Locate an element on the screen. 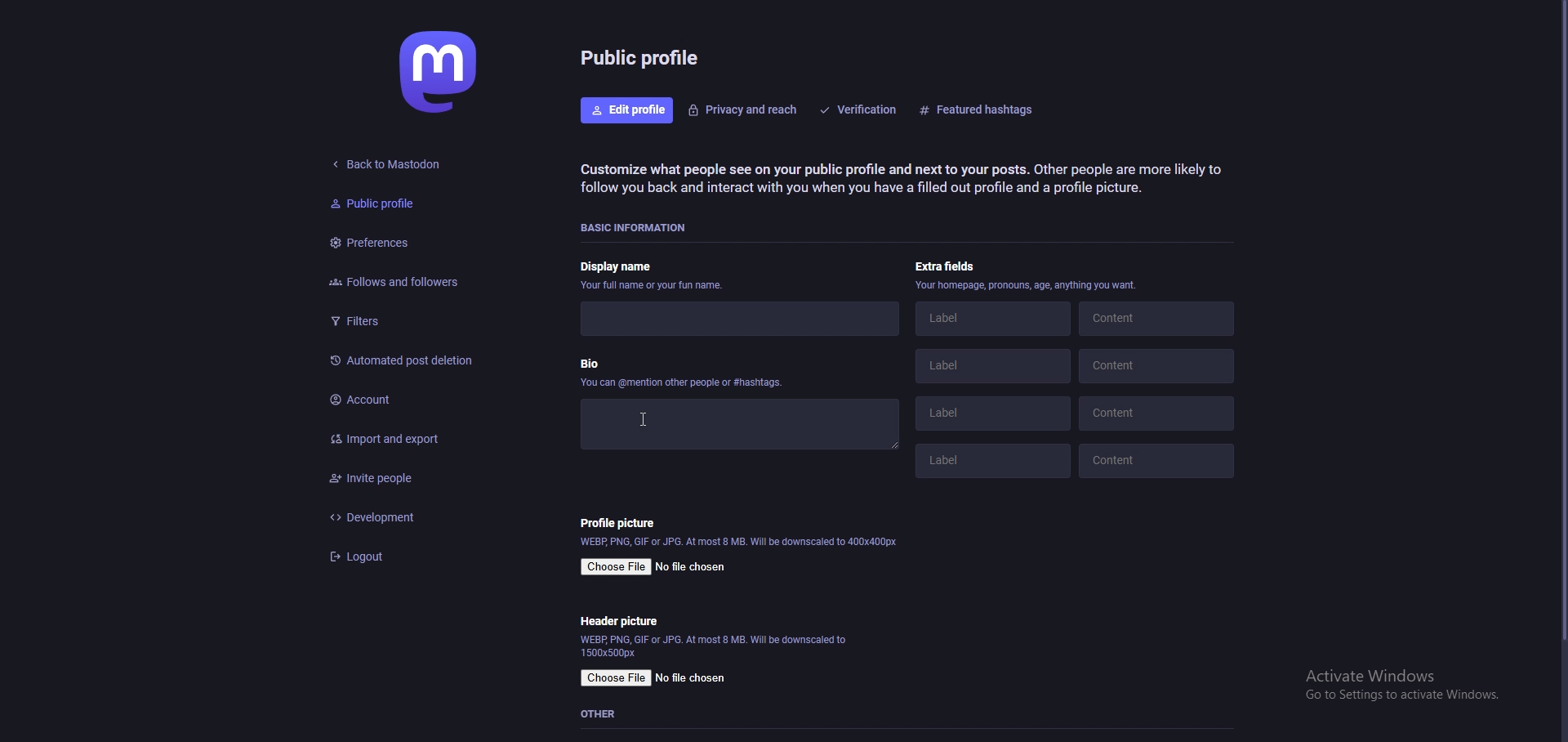 The image size is (1568, 742). account is located at coordinates (412, 400).